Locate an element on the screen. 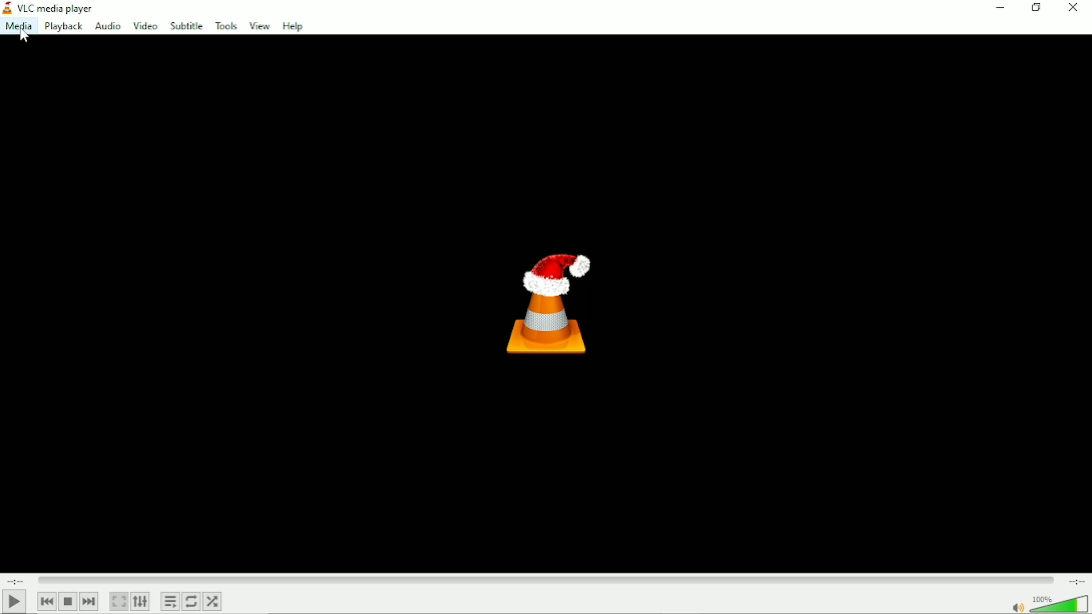 The image size is (1092, 614). Stop playback is located at coordinates (68, 601).